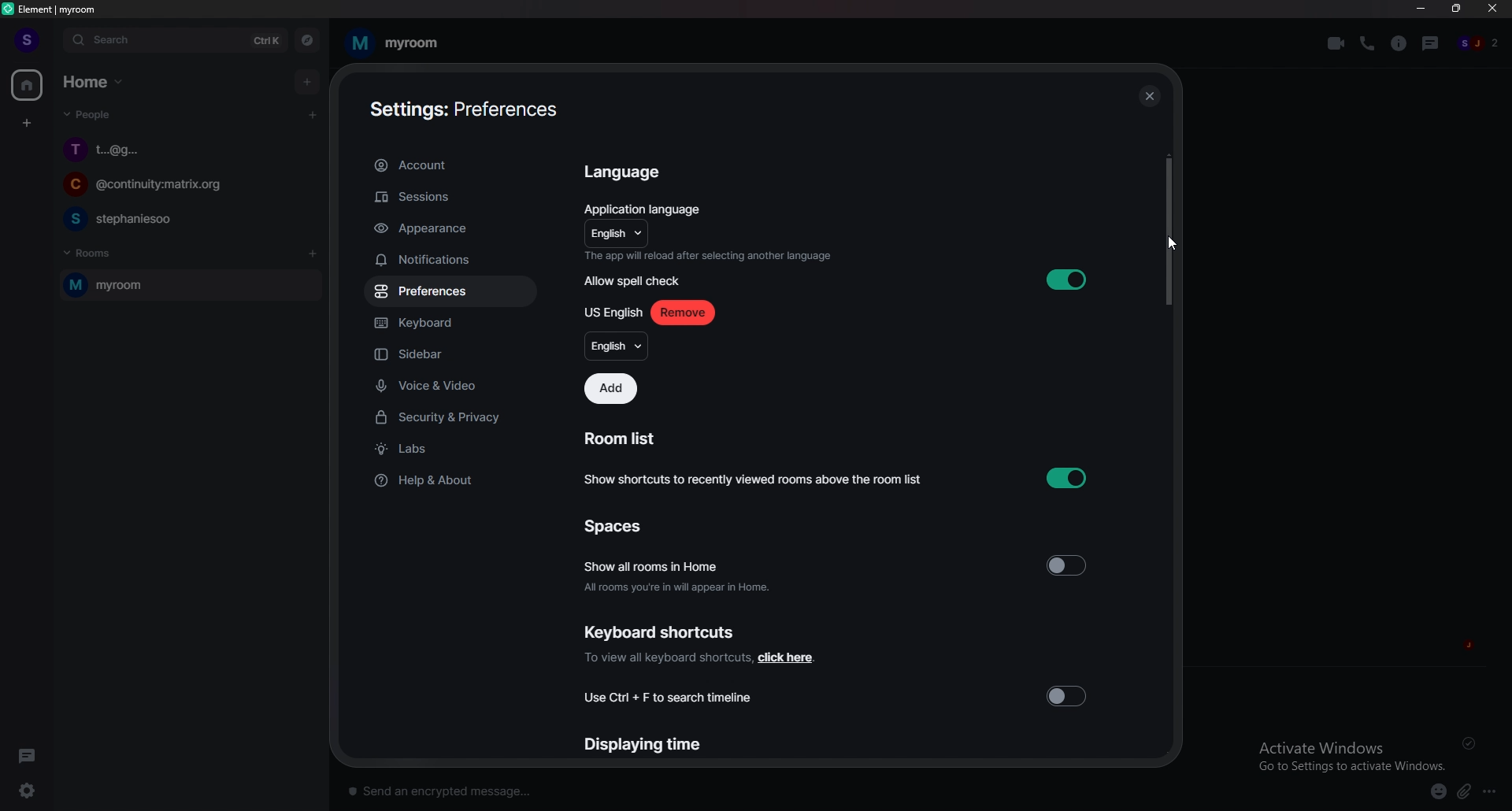  What do you see at coordinates (570, 787) in the screenshot?
I see `text box` at bounding box center [570, 787].